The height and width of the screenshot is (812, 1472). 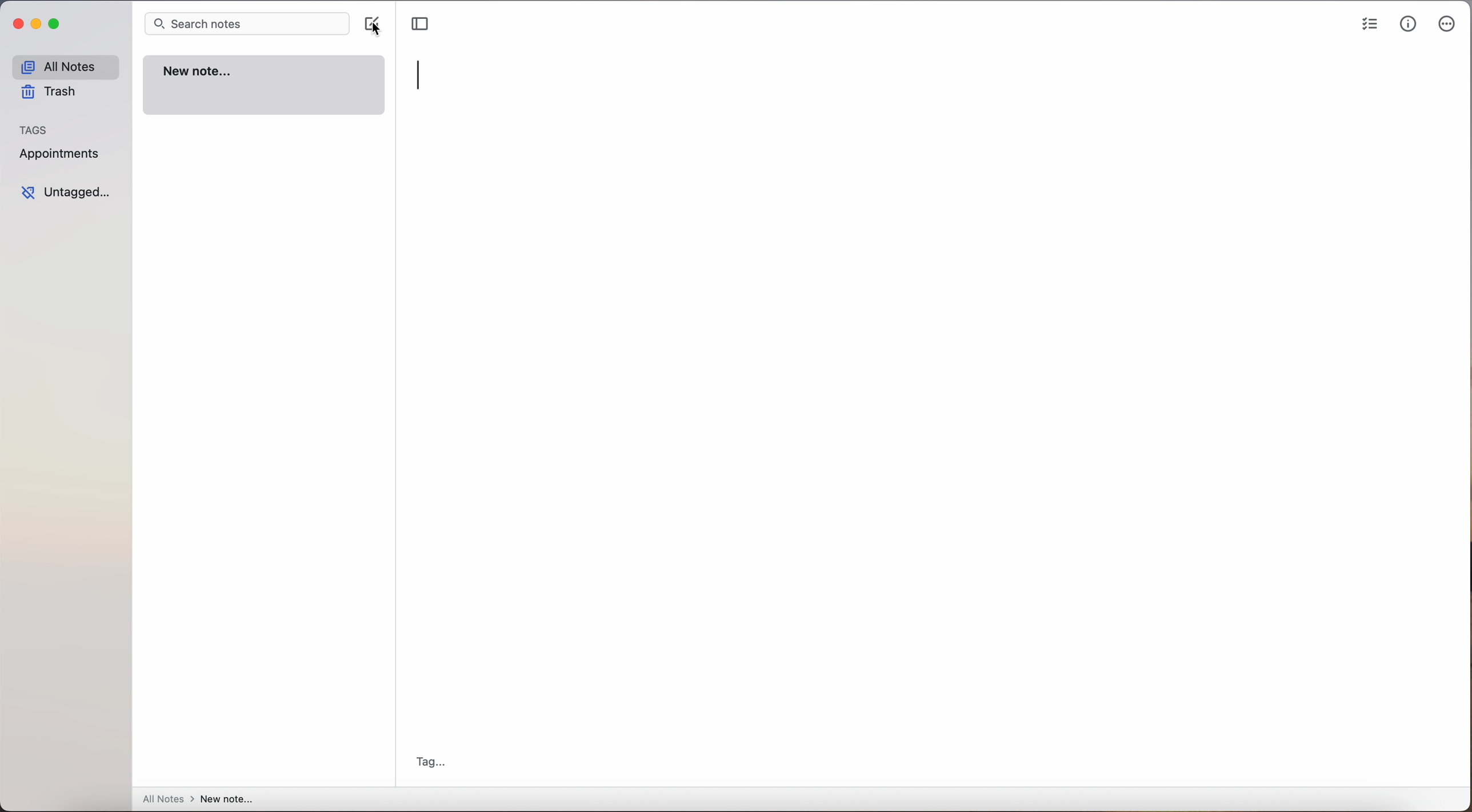 What do you see at coordinates (38, 129) in the screenshot?
I see `tags` at bounding box center [38, 129].